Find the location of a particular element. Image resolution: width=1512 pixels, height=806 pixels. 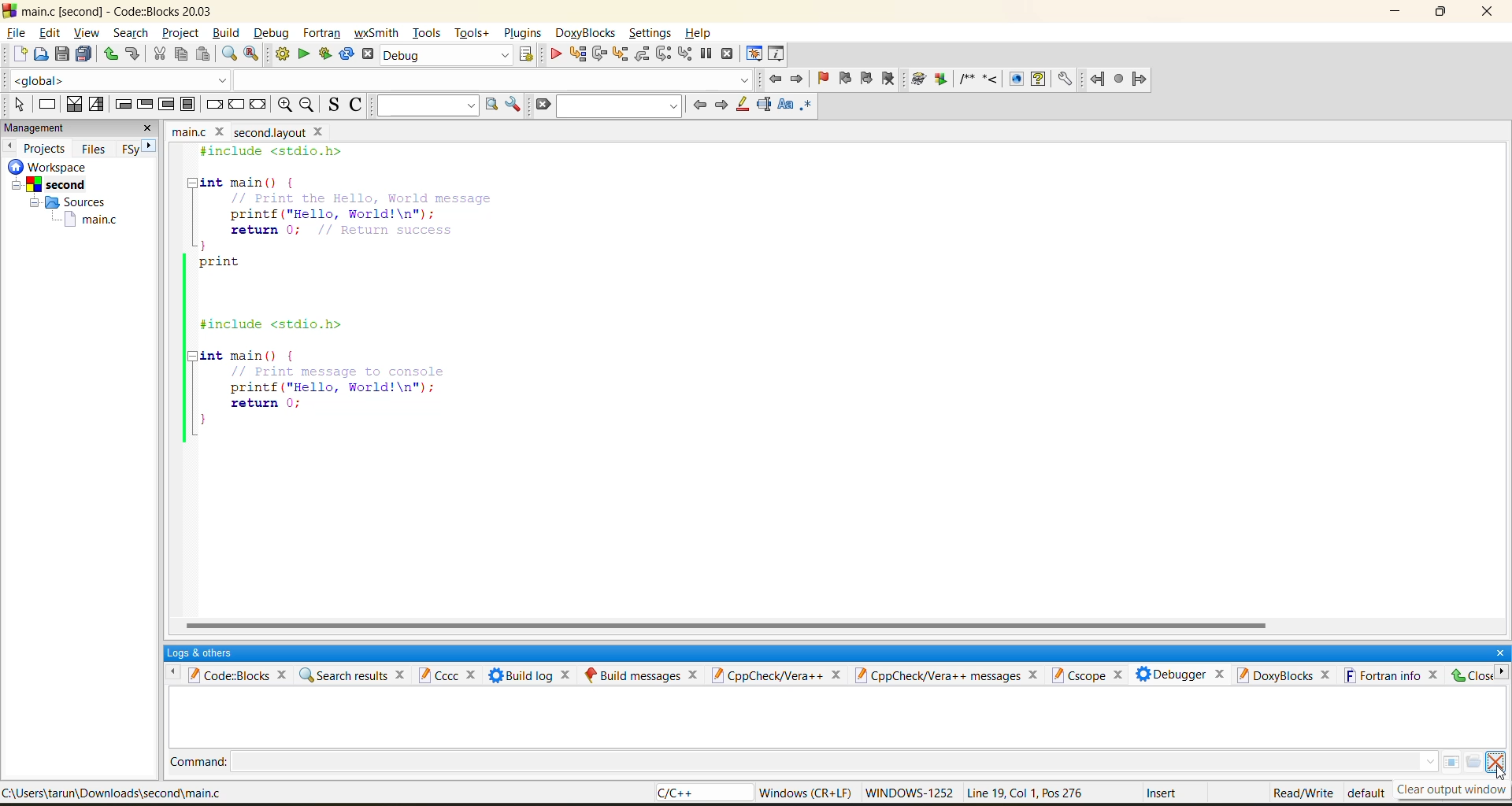

code completion compiler is located at coordinates (375, 81).